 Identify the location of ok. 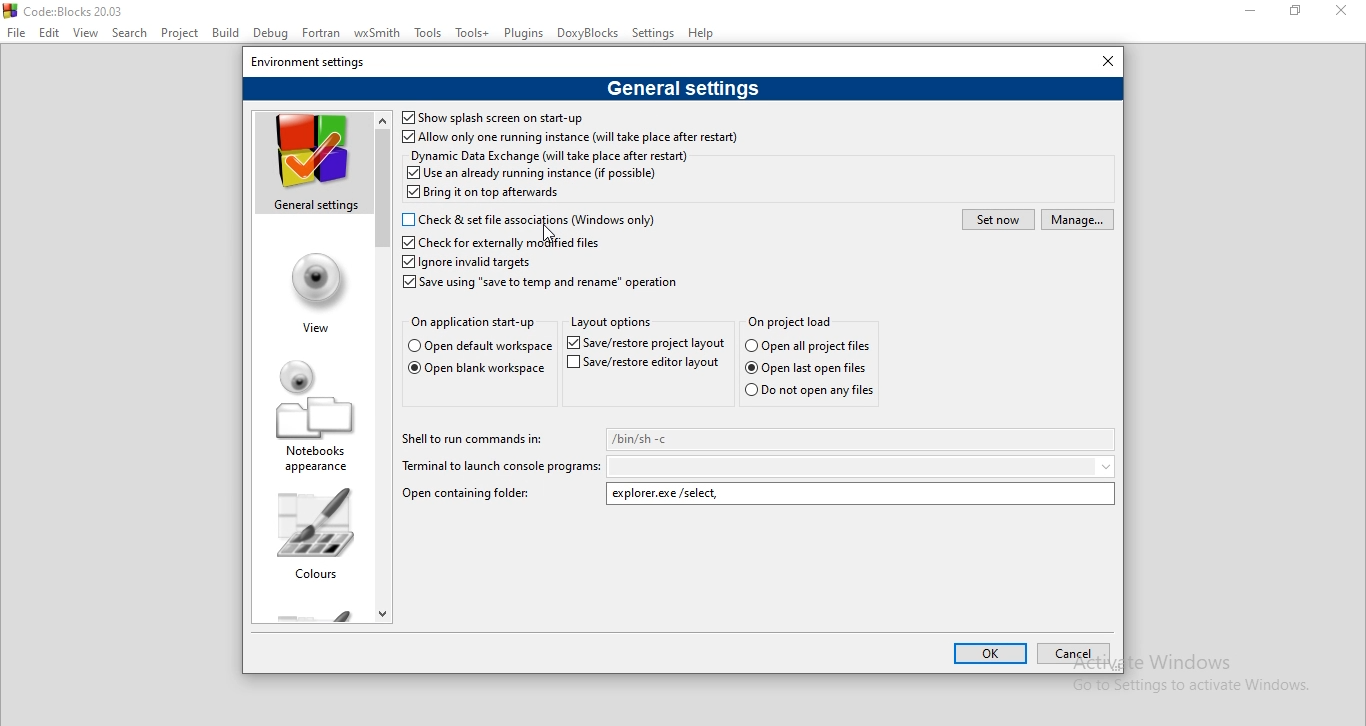
(991, 653).